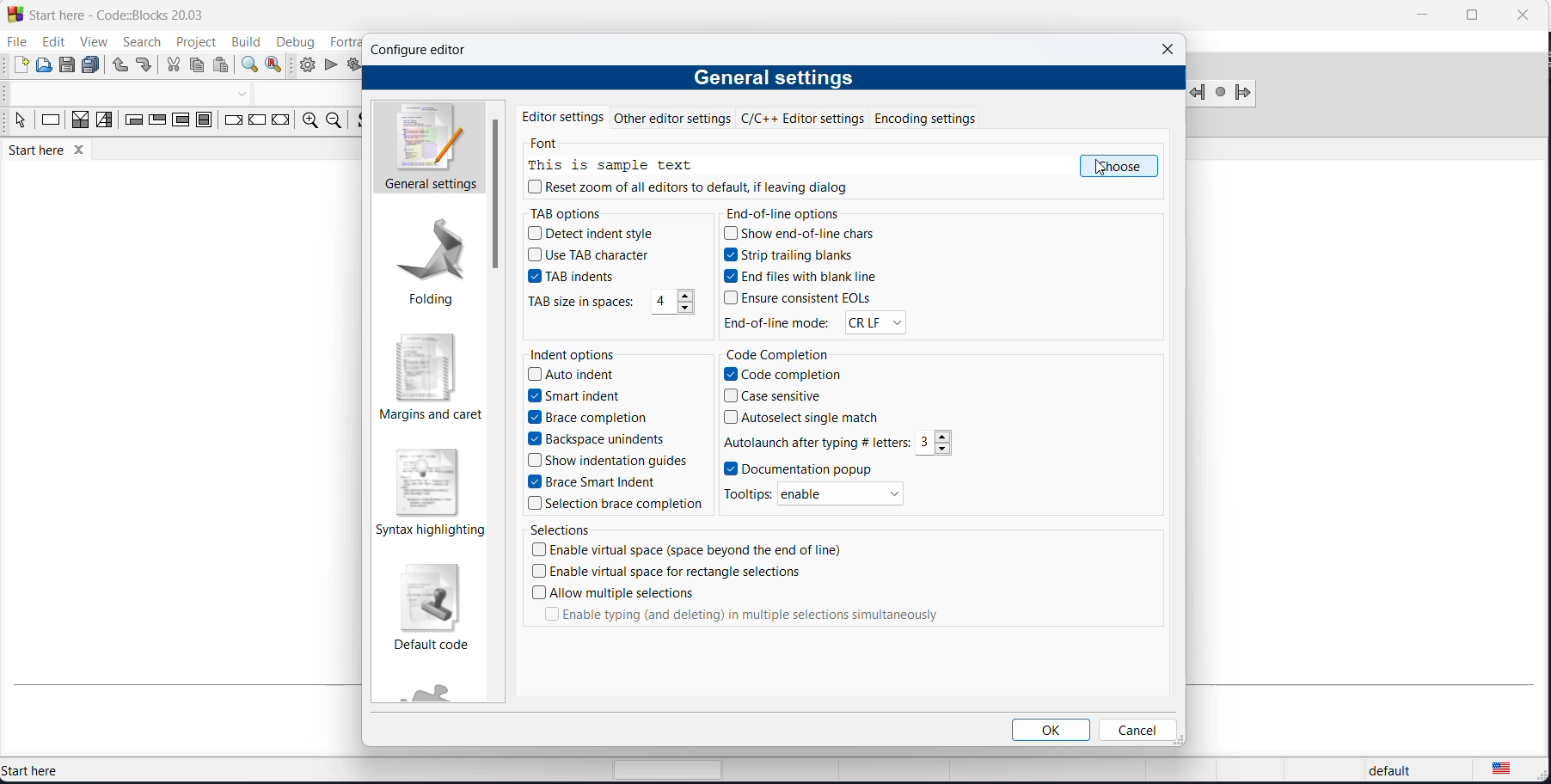 The width and height of the screenshot is (1551, 784). What do you see at coordinates (873, 322) in the screenshot?
I see `EOL modes options` at bounding box center [873, 322].